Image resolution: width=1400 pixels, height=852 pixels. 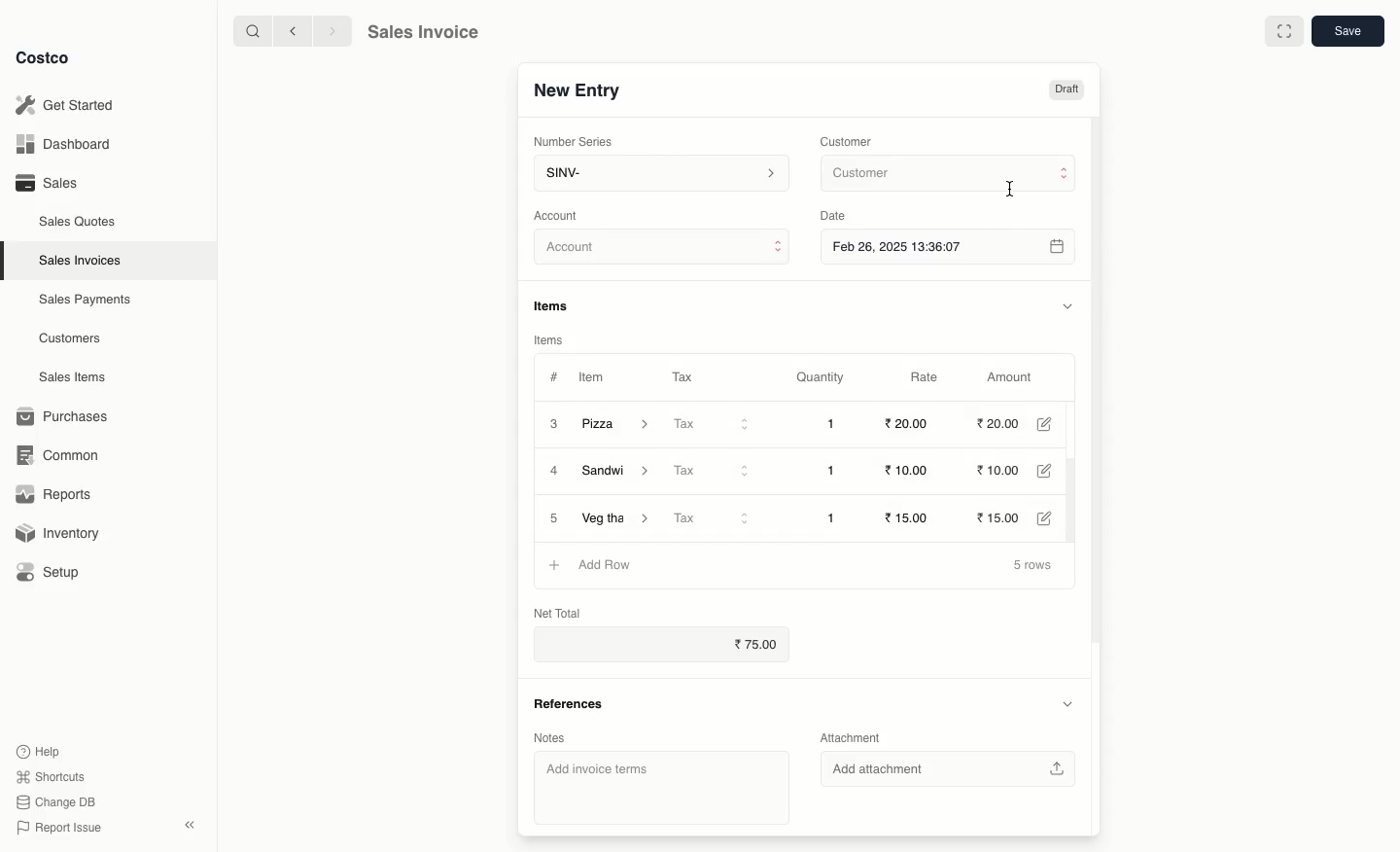 What do you see at coordinates (549, 339) in the screenshot?
I see `Items` at bounding box center [549, 339].